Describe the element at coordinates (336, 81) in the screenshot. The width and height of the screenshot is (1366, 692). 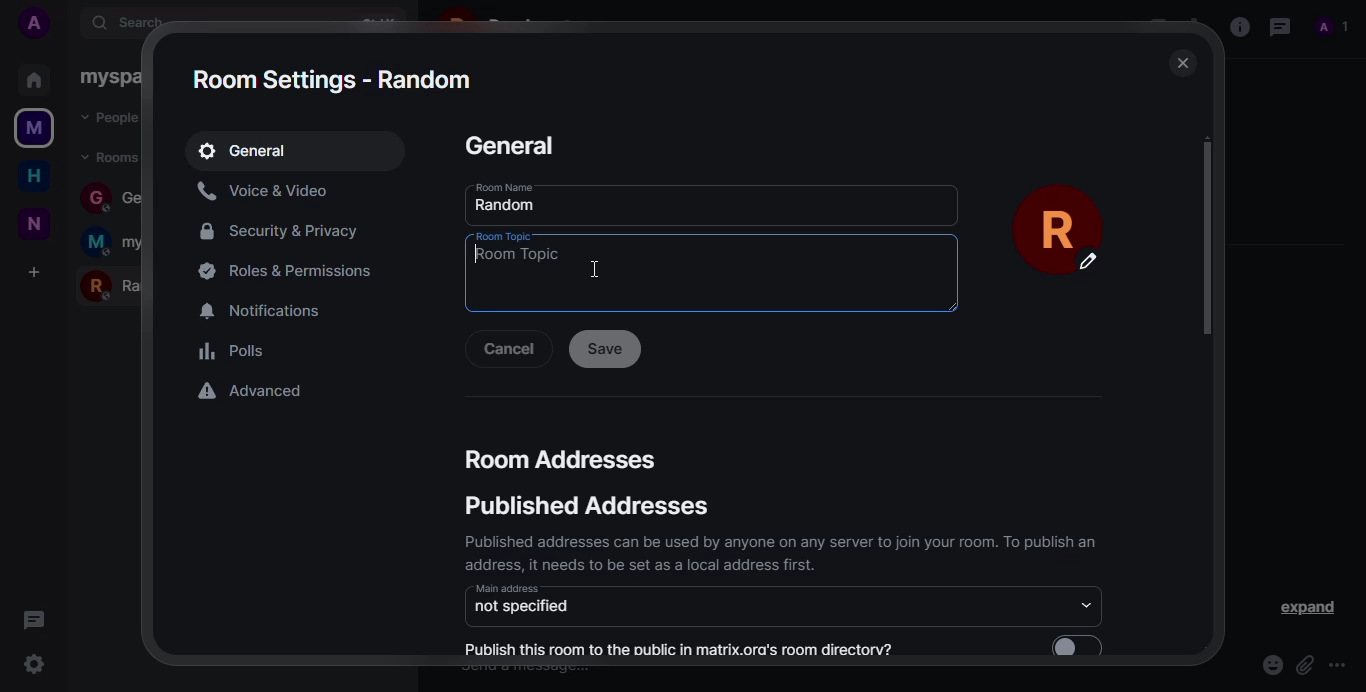
I see `room settings` at that location.